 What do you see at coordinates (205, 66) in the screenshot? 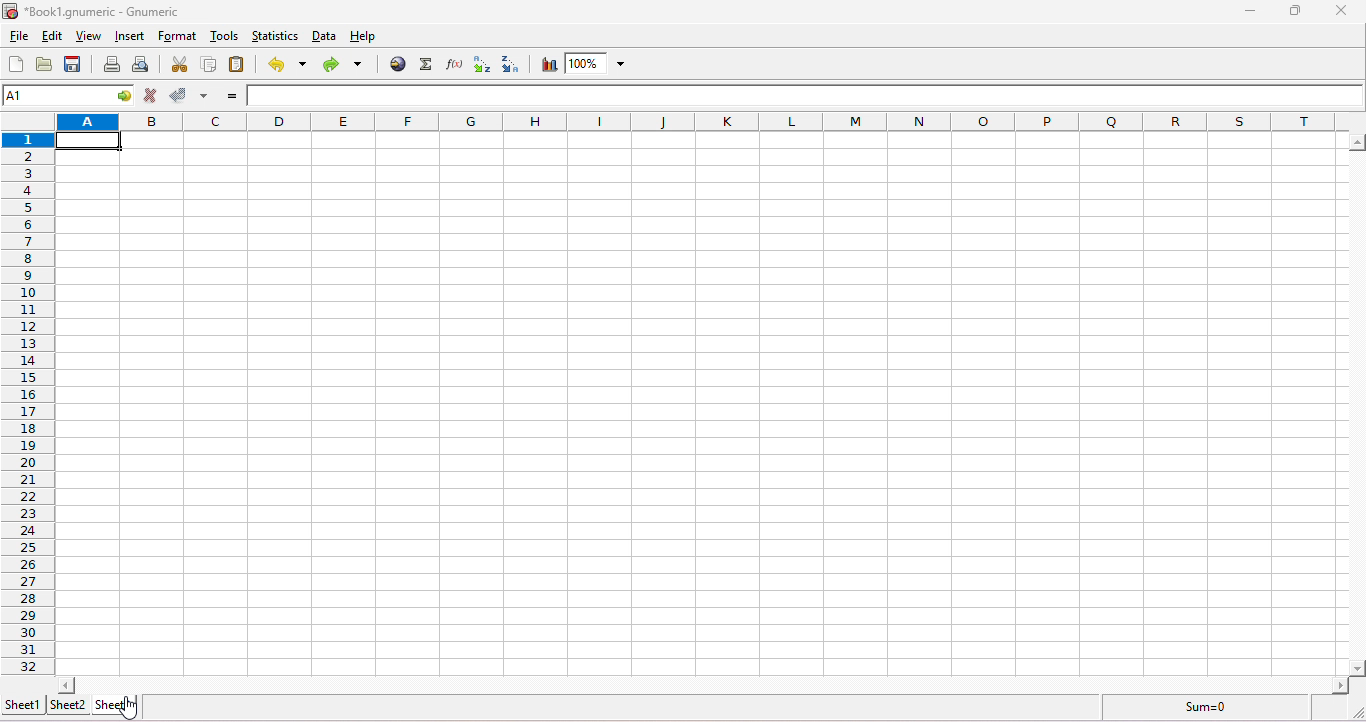
I see `copy` at bounding box center [205, 66].